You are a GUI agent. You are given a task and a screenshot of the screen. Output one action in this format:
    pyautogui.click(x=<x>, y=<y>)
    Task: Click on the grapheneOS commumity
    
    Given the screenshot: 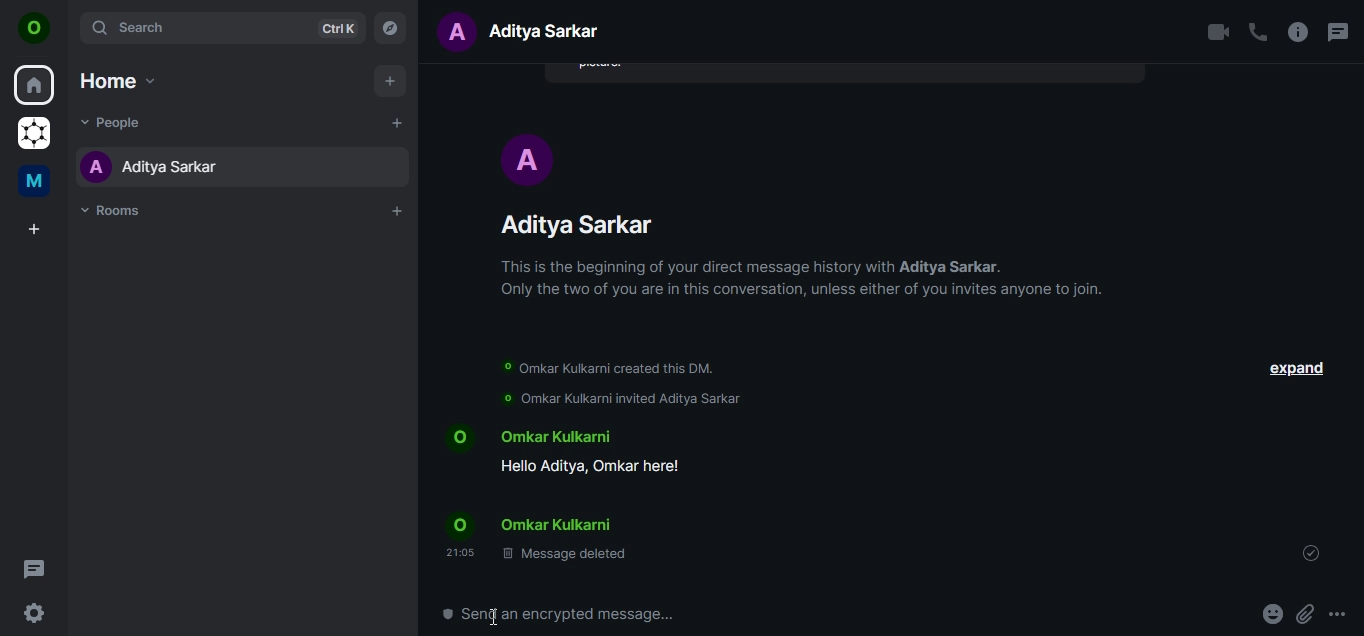 What is the action you would take?
    pyautogui.click(x=36, y=131)
    